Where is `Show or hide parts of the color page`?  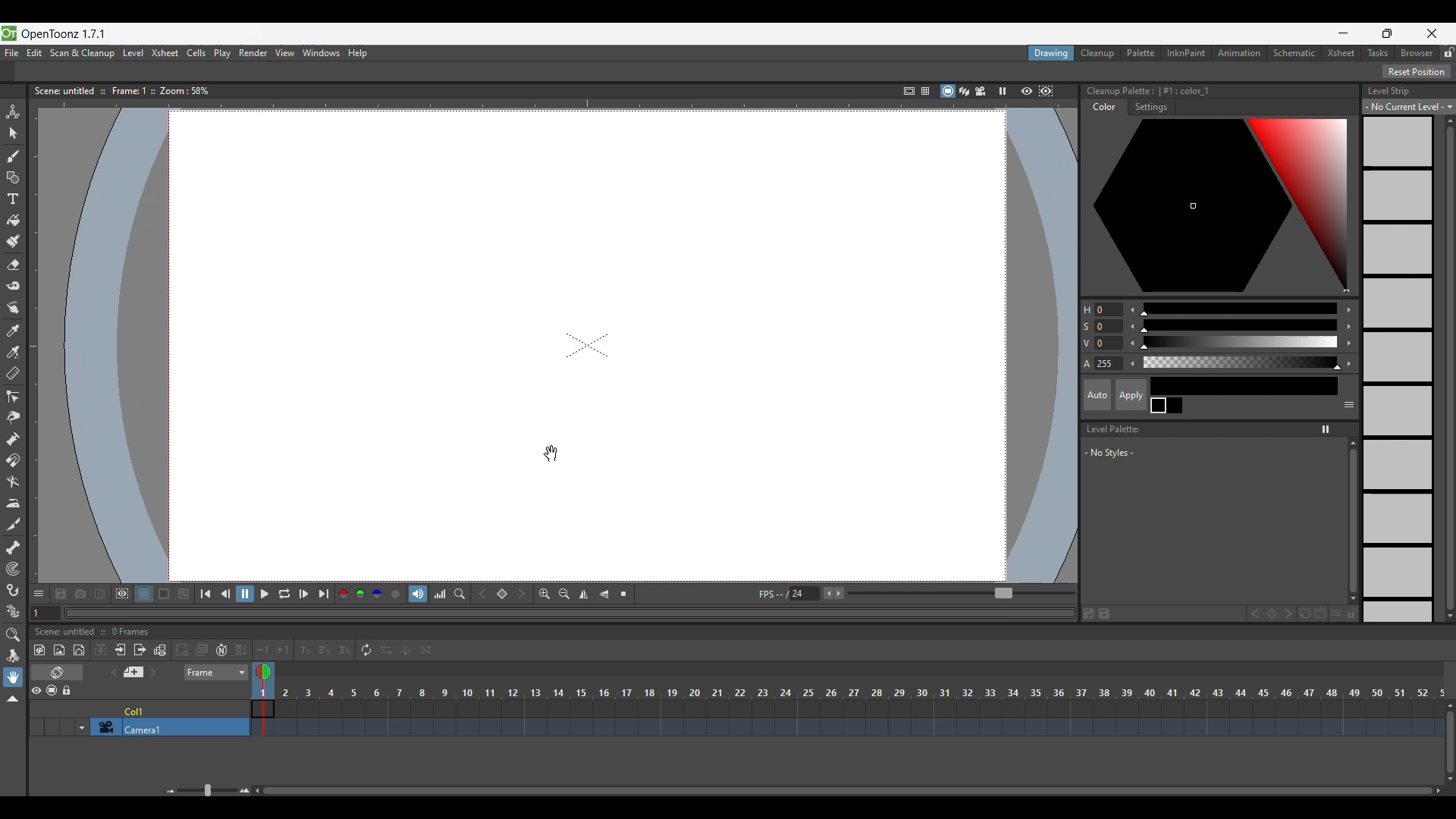 Show or hide parts of the color page is located at coordinates (1349, 404).